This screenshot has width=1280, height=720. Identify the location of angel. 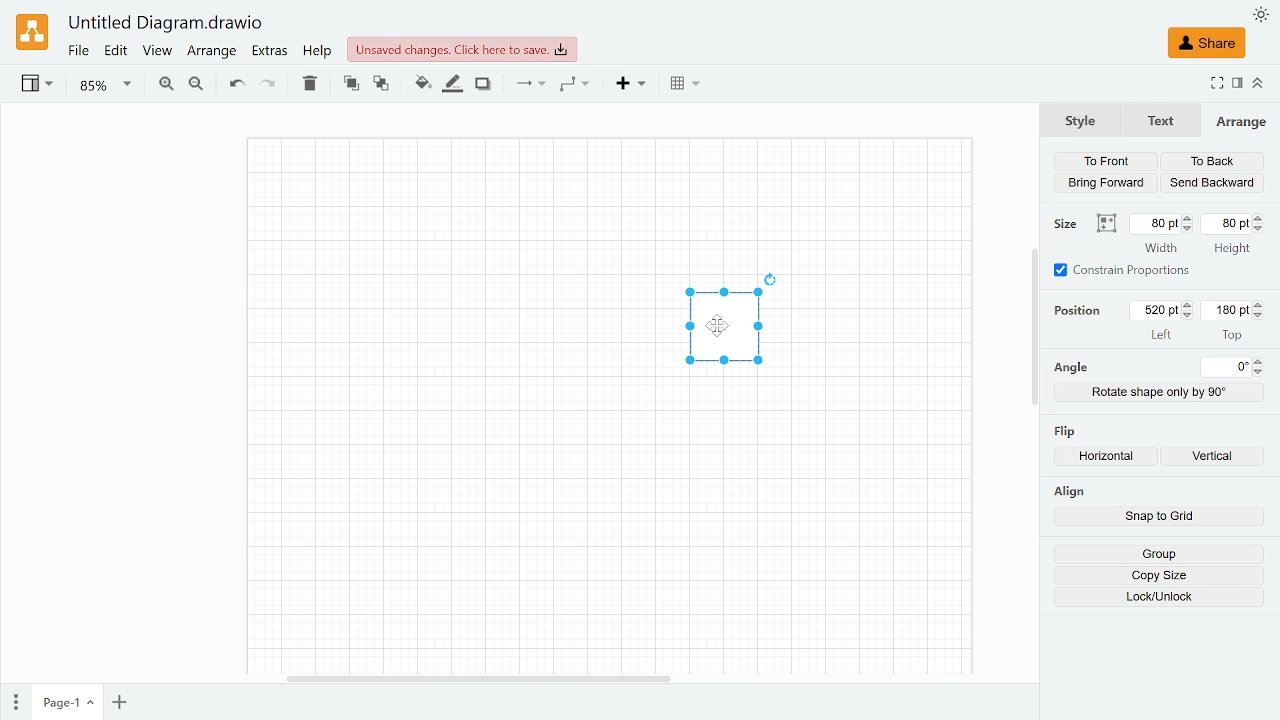
(1070, 368).